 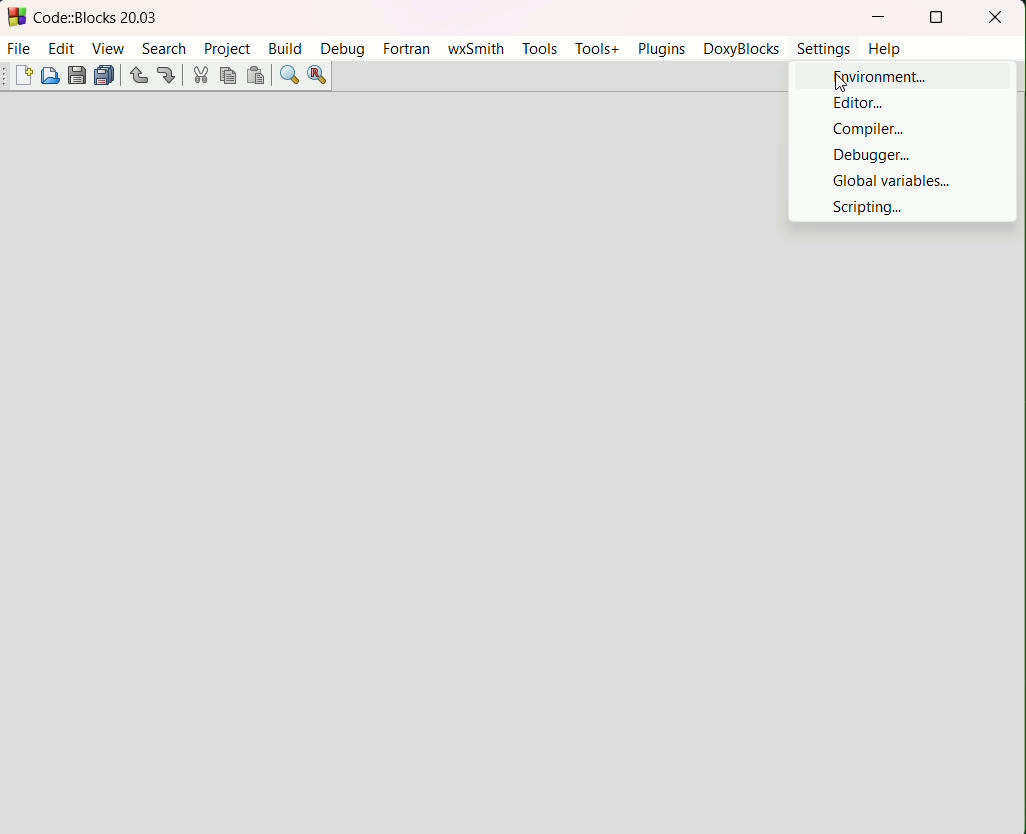 What do you see at coordinates (826, 49) in the screenshot?
I see `settings` at bounding box center [826, 49].